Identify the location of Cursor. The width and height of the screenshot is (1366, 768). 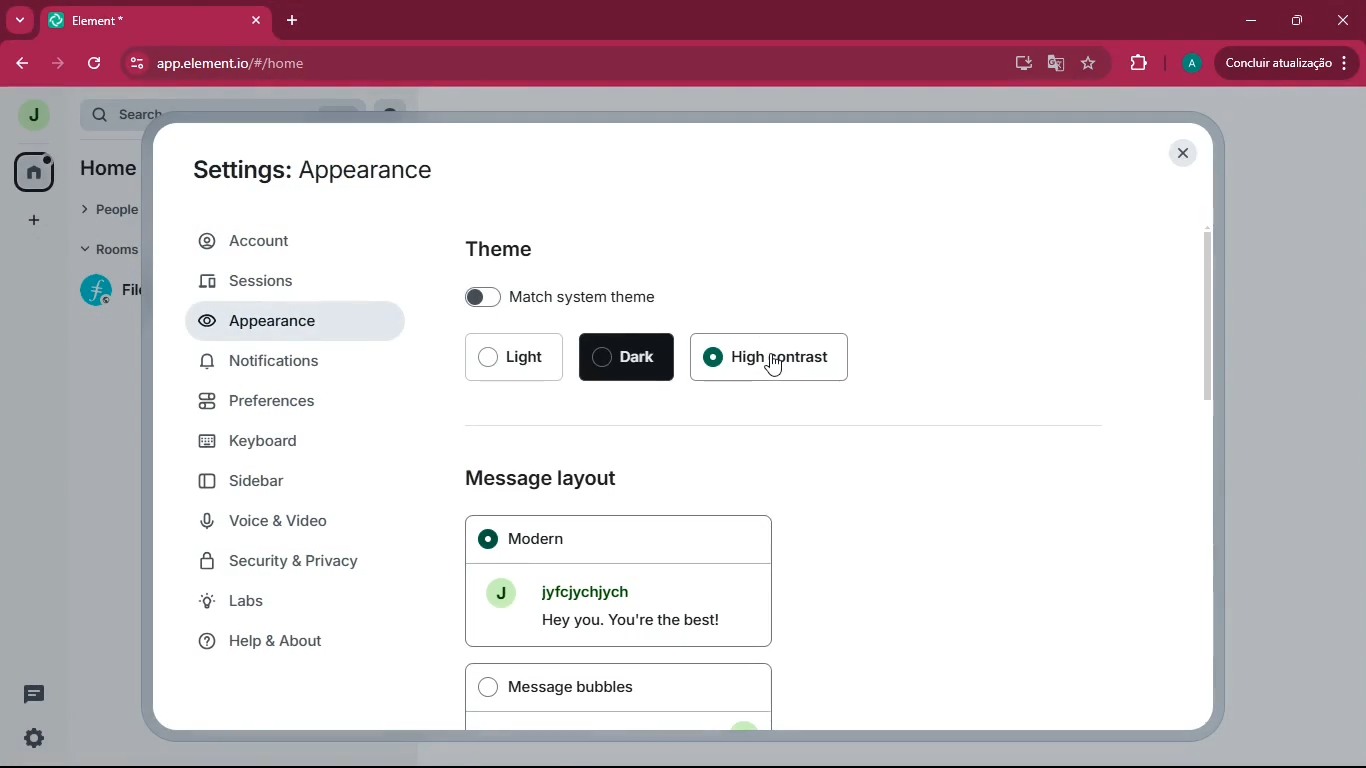
(772, 366).